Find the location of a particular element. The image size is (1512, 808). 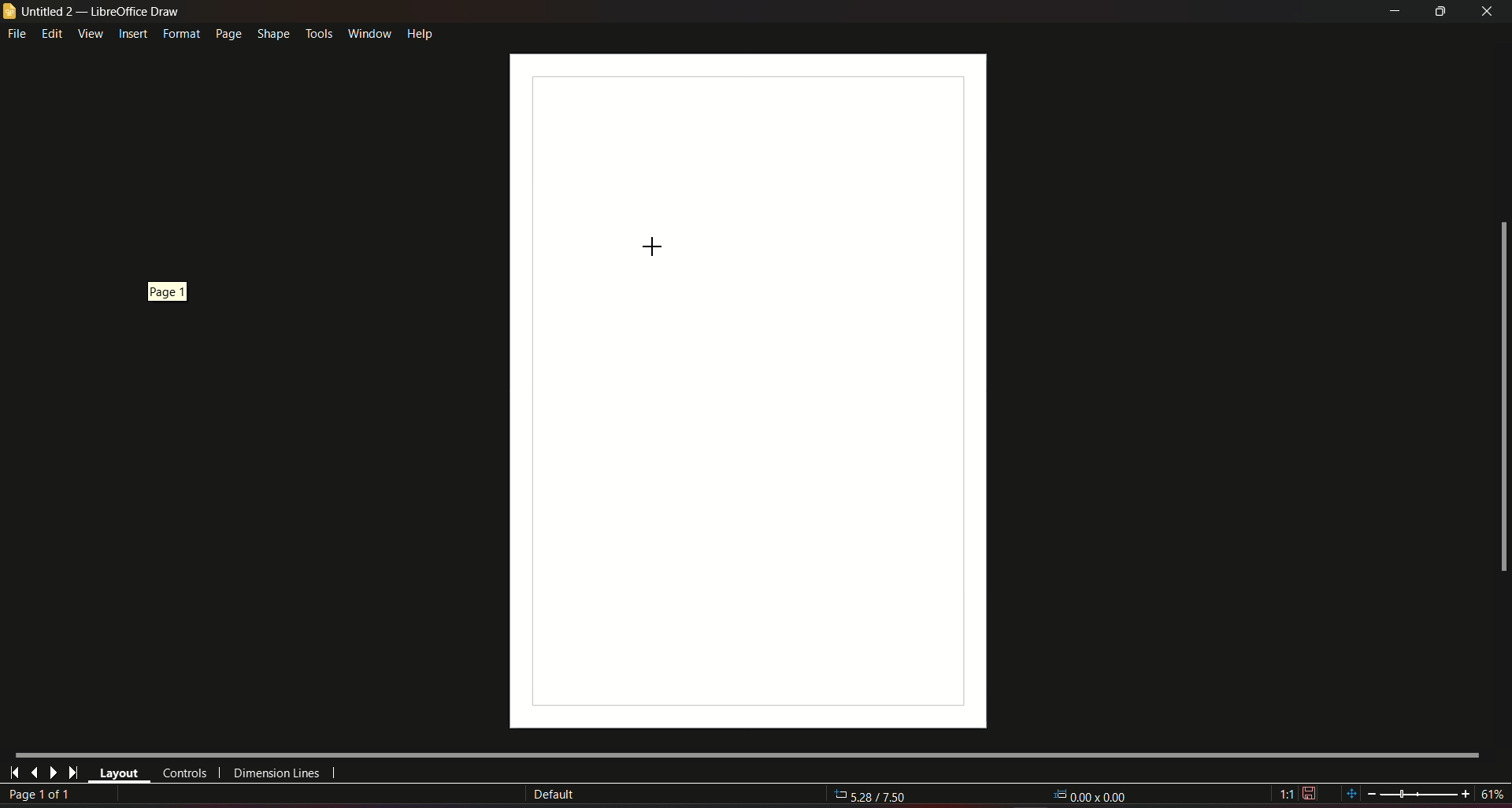

last page is located at coordinates (72, 773).